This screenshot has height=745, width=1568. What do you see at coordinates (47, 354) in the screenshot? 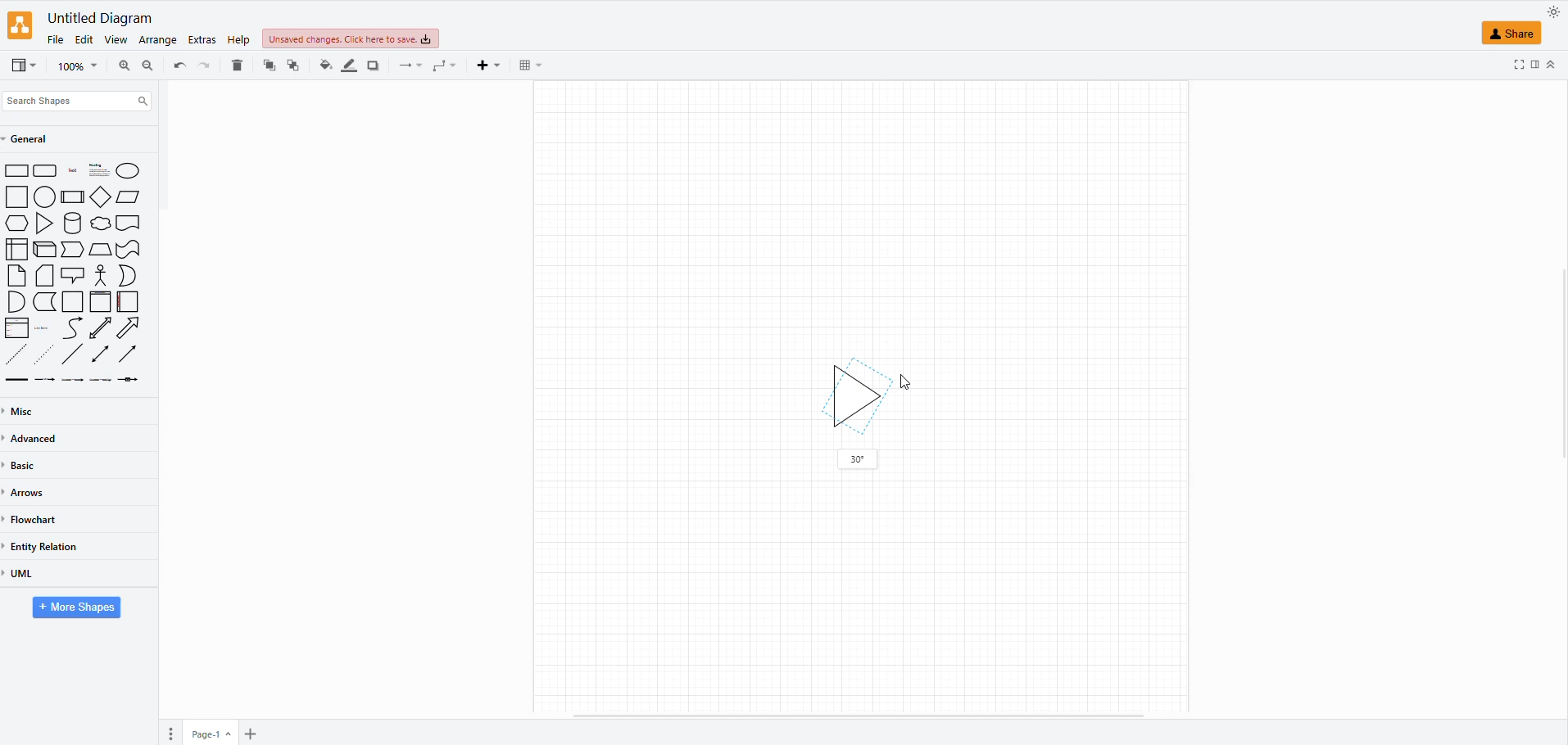
I see `Dotted Arrow` at bounding box center [47, 354].